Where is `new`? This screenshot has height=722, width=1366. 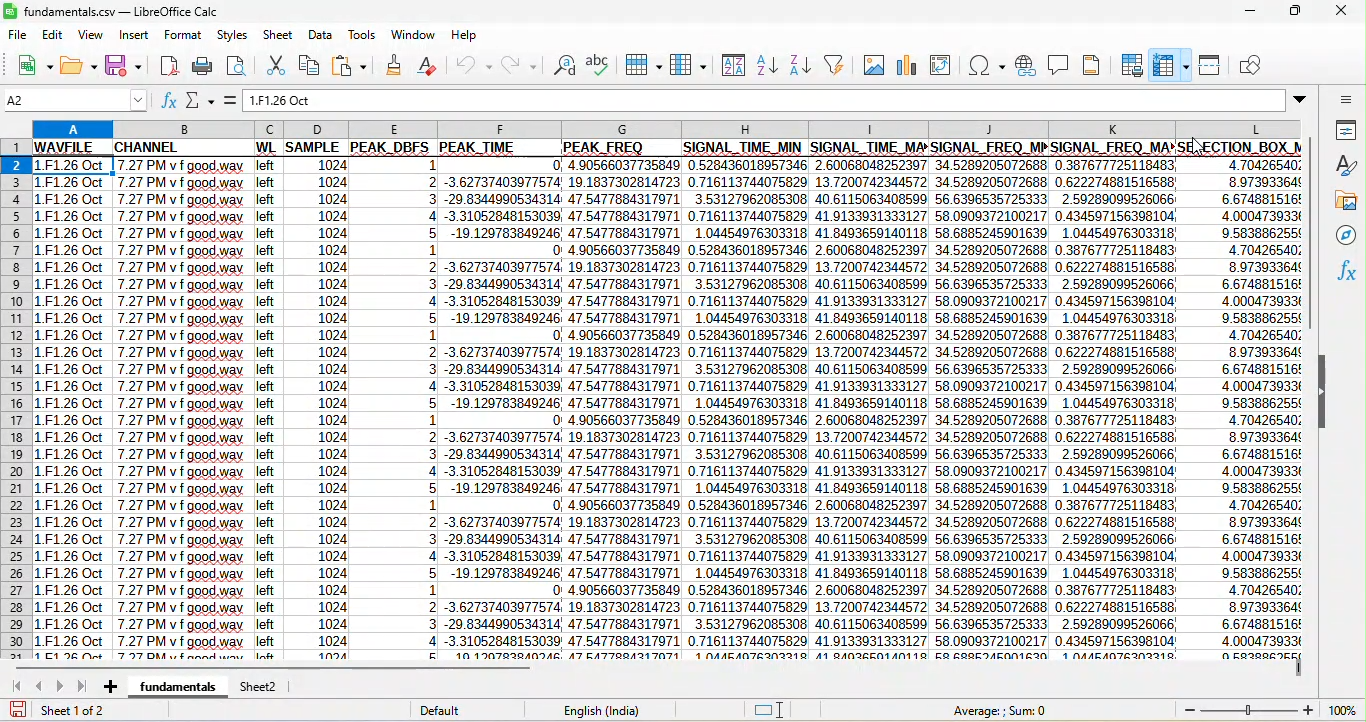 new is located at coordinates (29, 69).